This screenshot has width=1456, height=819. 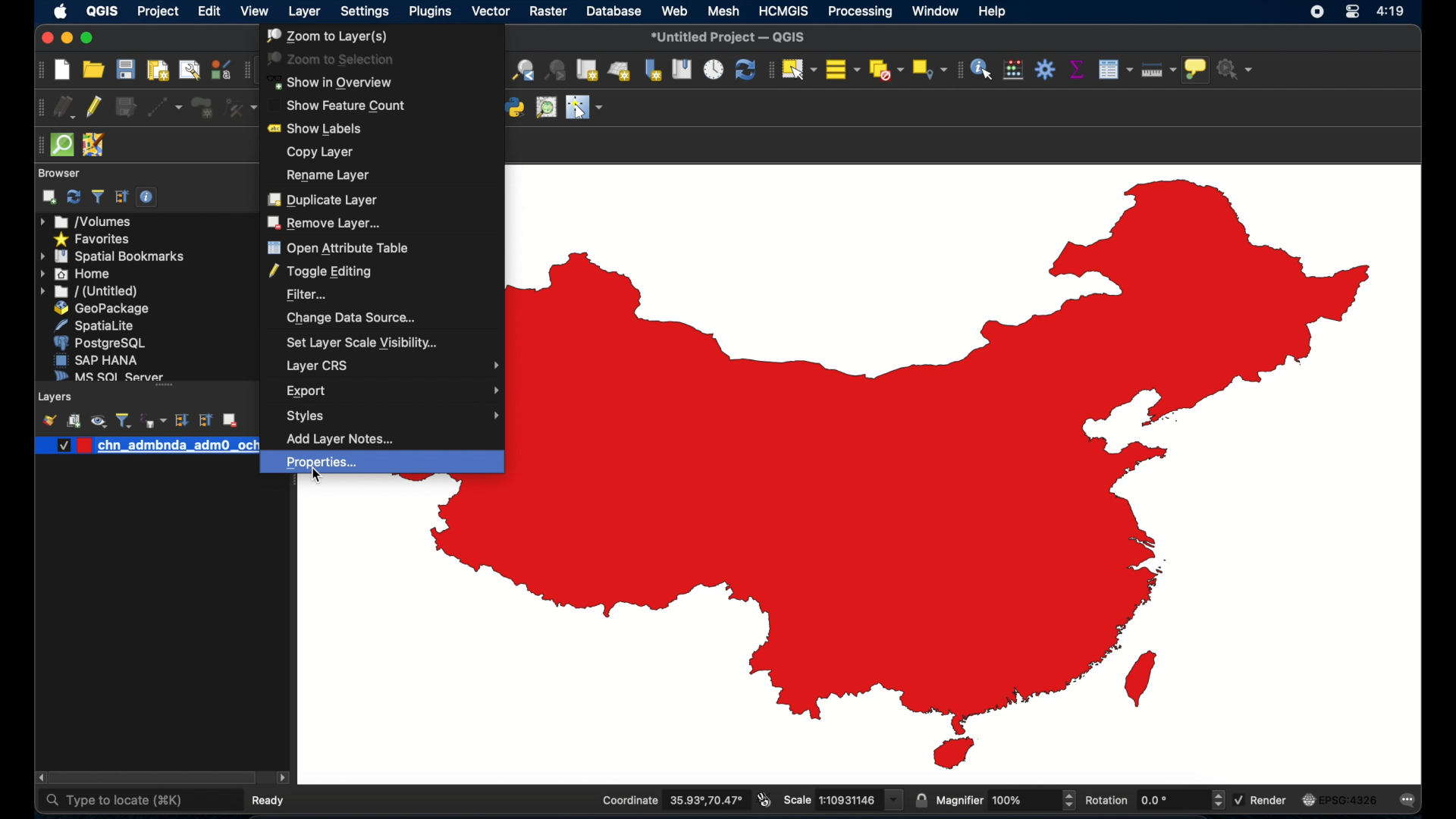 I want to click on select features by area or single click, so click(x=799, y=68).